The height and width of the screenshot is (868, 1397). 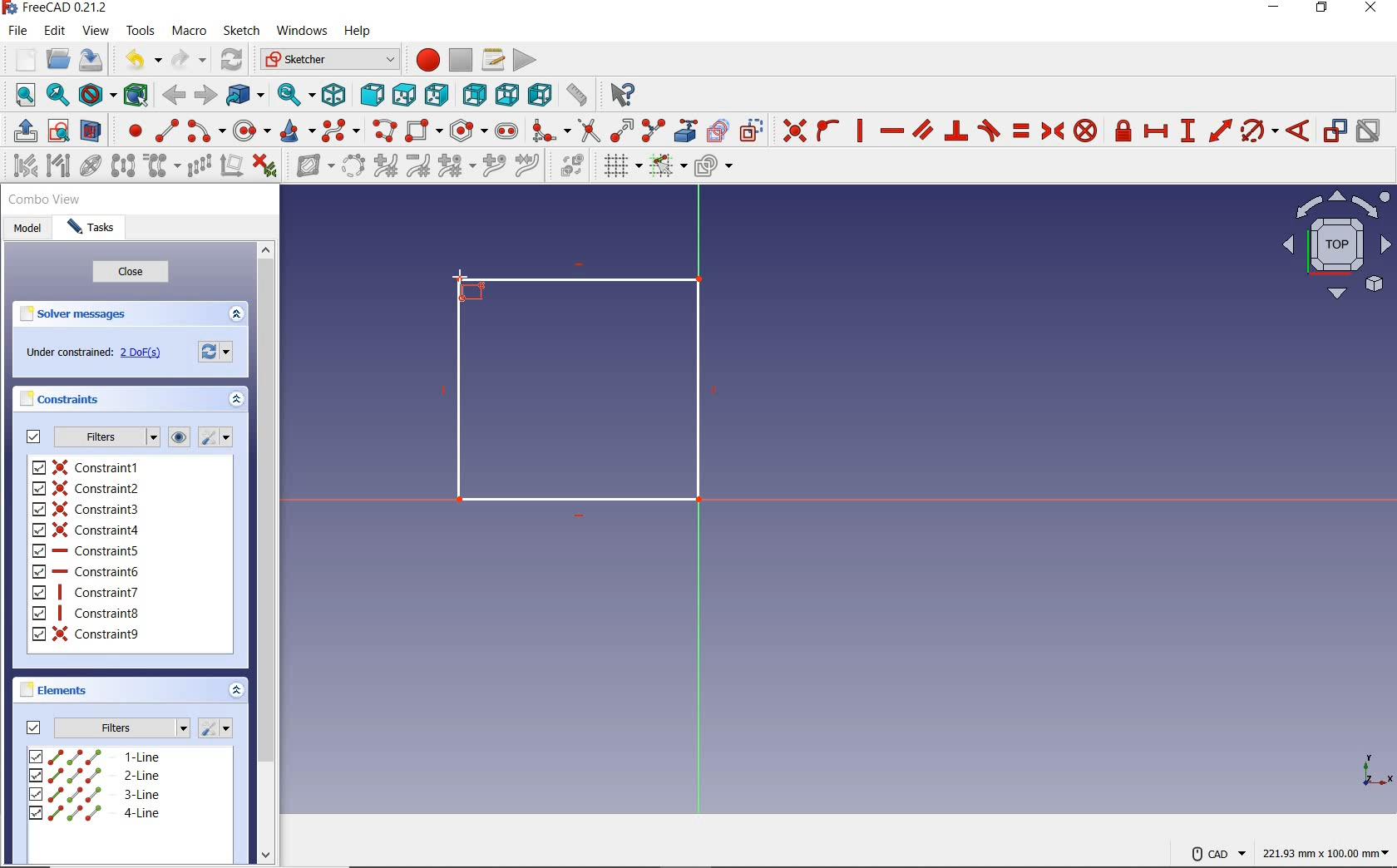 What do you see at coordinates (1086, 131) in the screenshot?
I see `constrain block` at bounding box center [1086, 131].